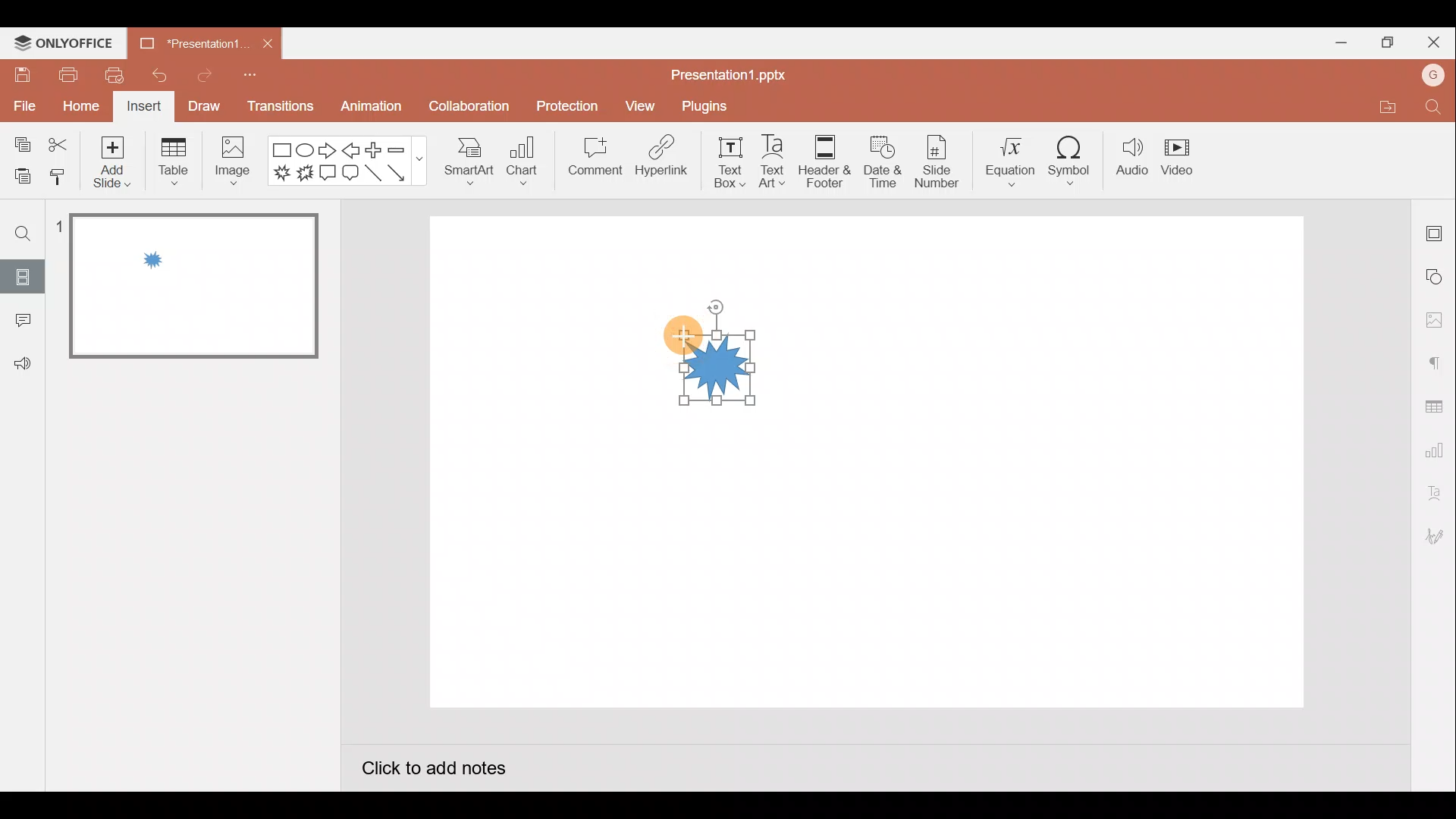 This screenshot has height=819, width=1456. Describe the element at coordinates (1434, 490) in the screenshot. I see `Text Art settings` at that location.